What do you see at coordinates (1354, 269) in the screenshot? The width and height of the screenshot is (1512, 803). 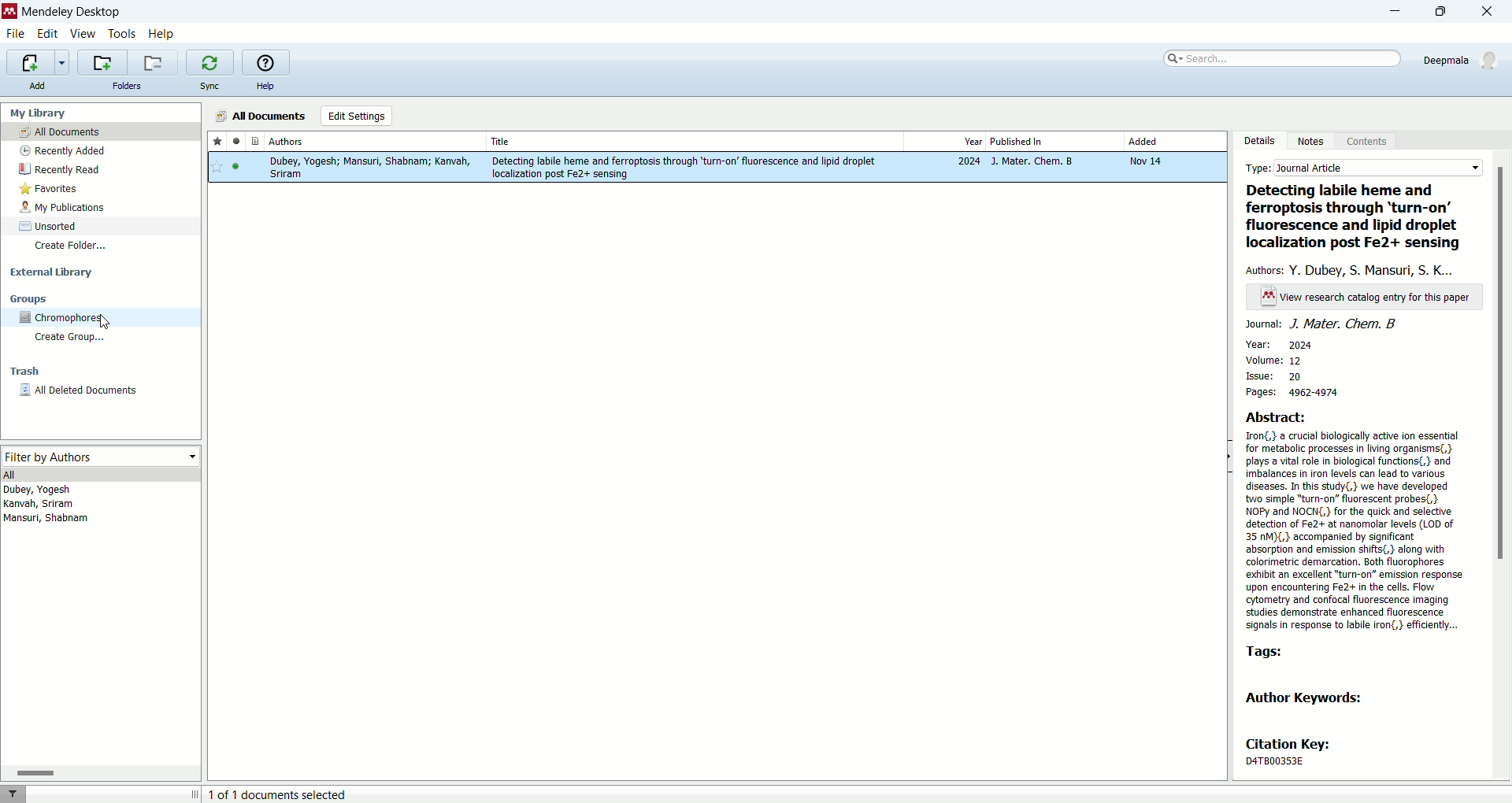 I see `authors` at bounding box center [1354, 269].